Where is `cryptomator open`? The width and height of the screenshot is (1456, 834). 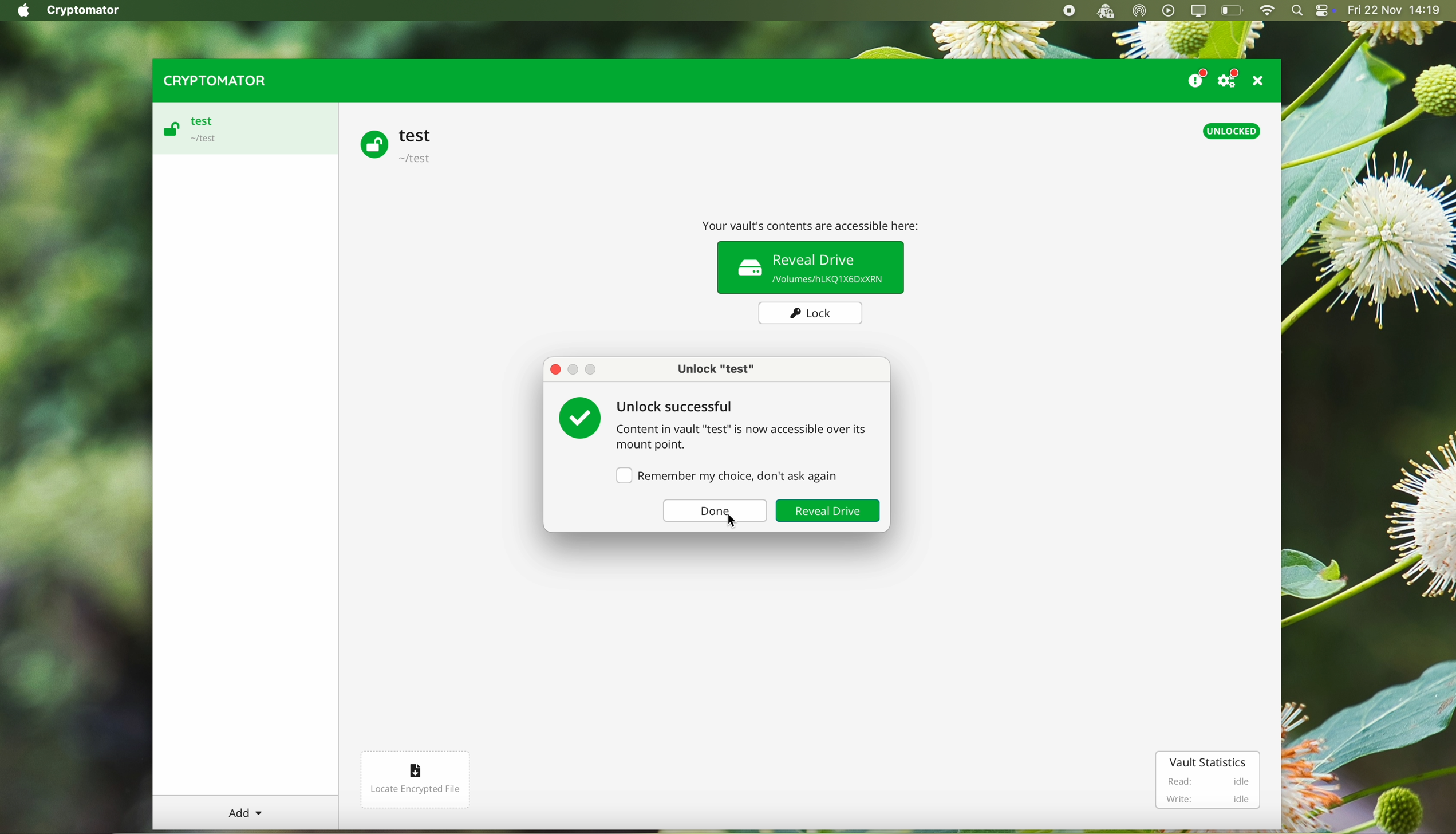 cryptomator open is located at coordinates (1103, 11).